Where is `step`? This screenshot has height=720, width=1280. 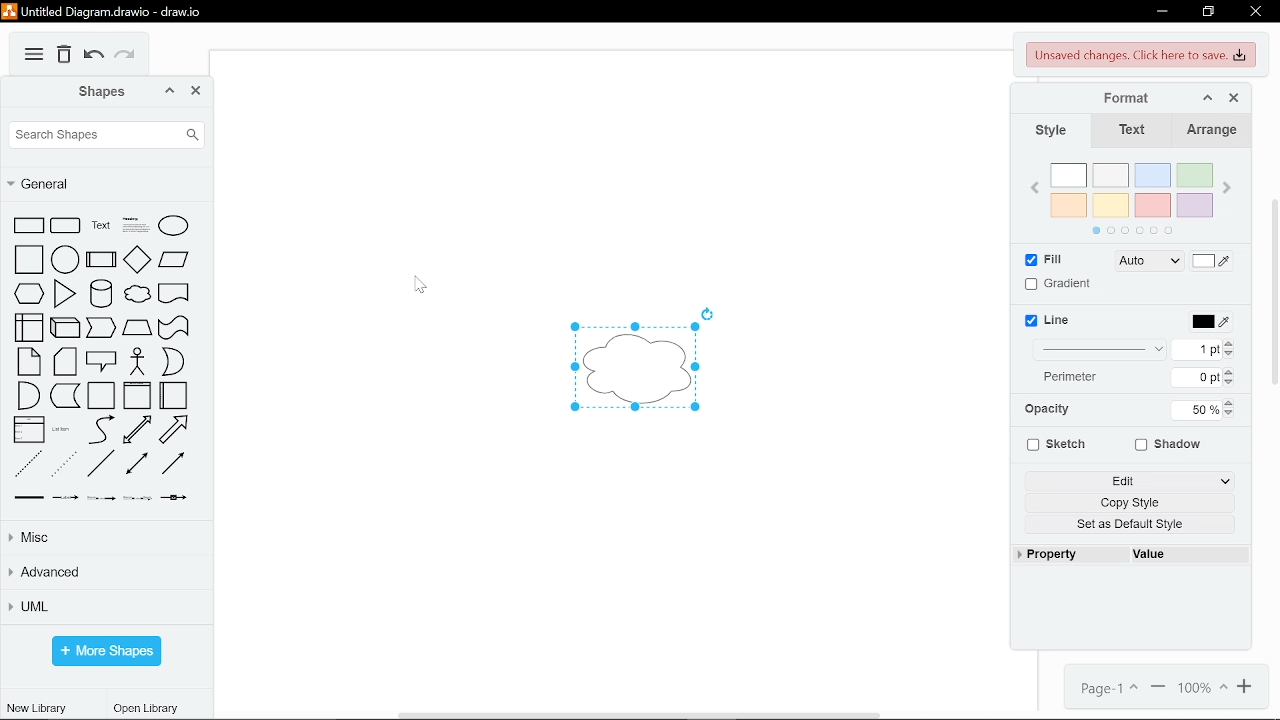 step is located at coordinates (102, 328).